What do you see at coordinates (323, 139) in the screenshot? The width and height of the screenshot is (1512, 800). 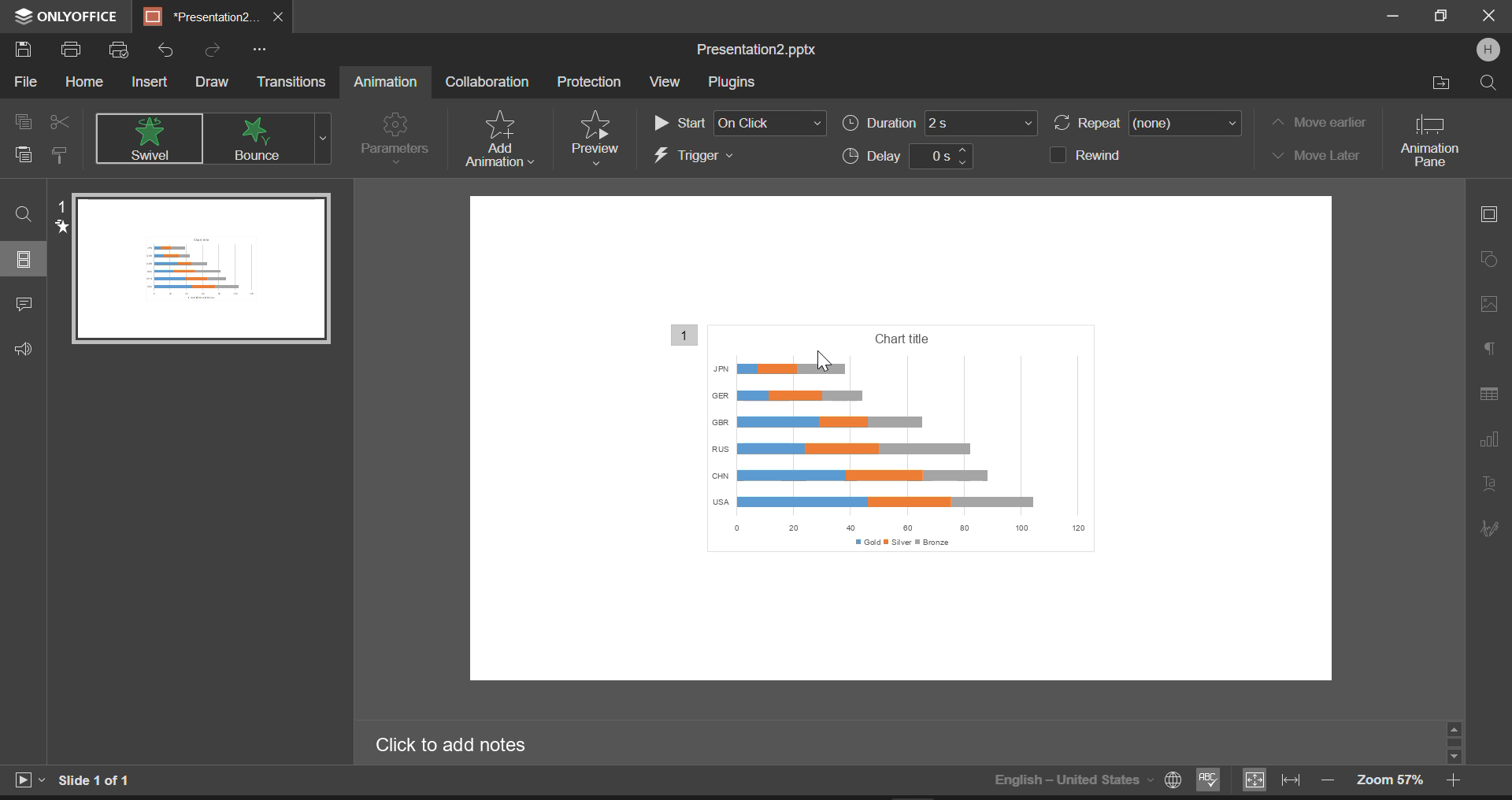 I see `Effects Menu` at bounding box center [323, 139].